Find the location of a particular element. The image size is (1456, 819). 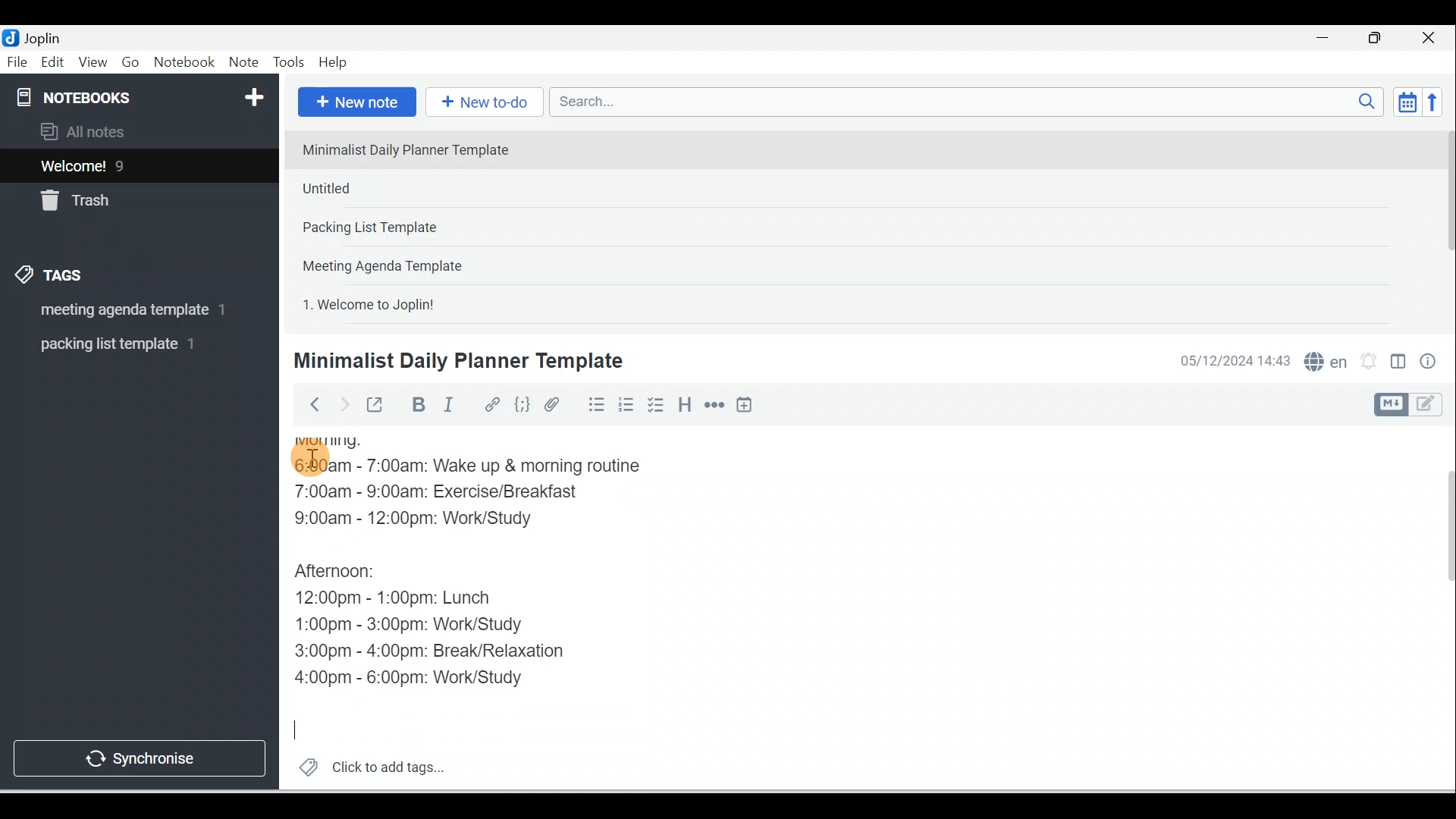

File is located at coordinates (18, 61).